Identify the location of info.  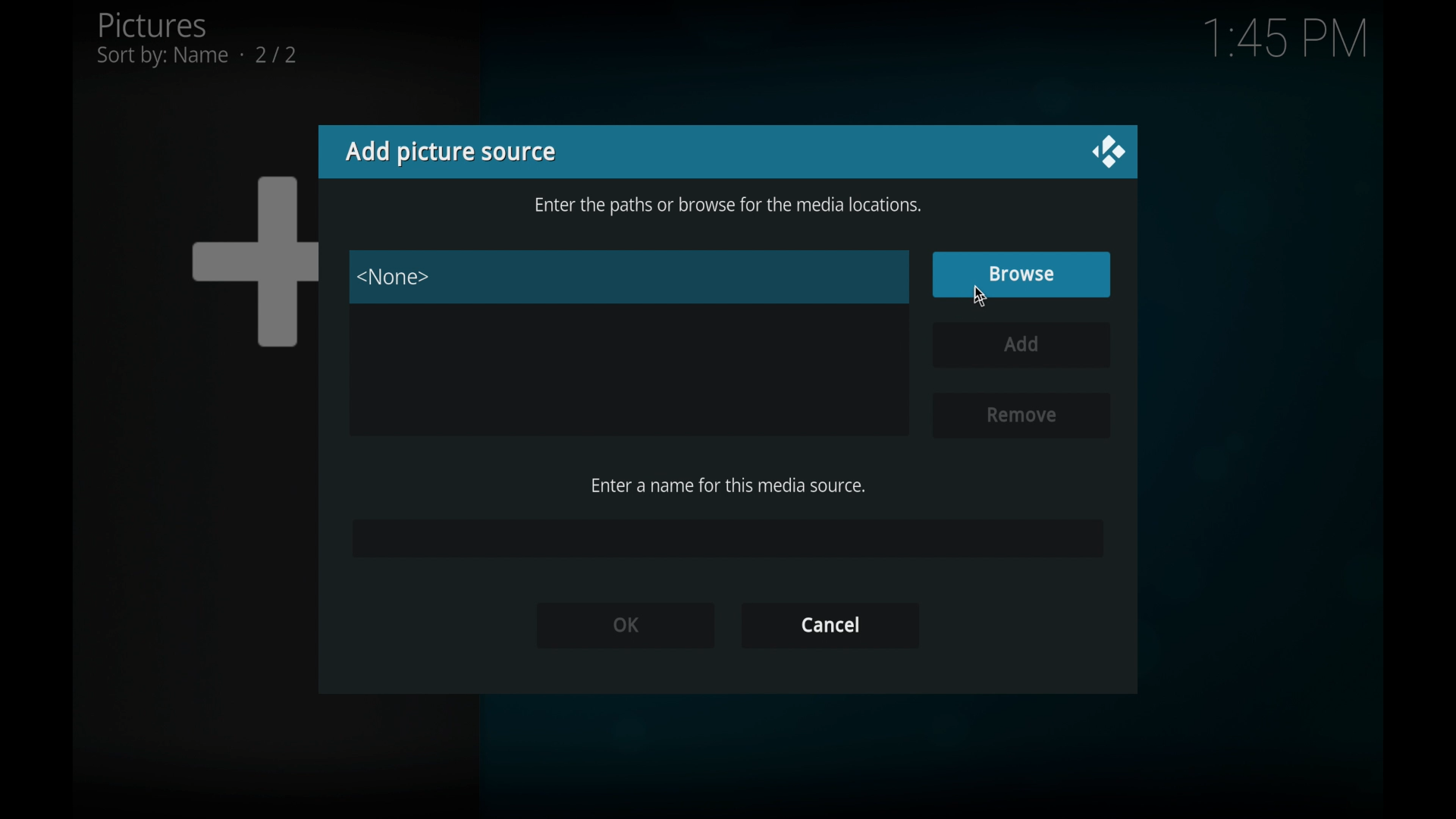
(728, 207).